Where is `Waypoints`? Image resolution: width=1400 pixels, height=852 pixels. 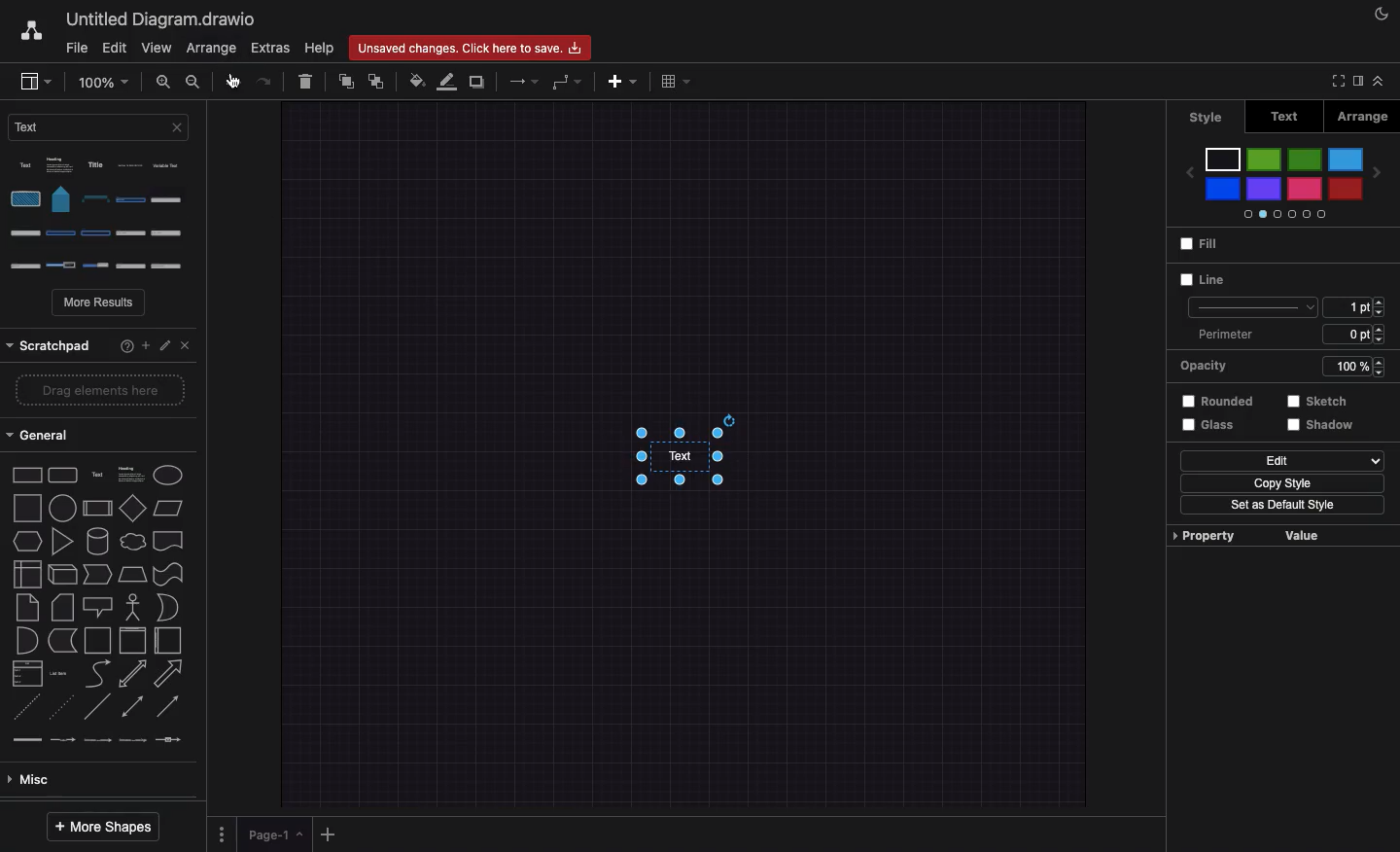 Waypoints is located at coordinates (567, 84).